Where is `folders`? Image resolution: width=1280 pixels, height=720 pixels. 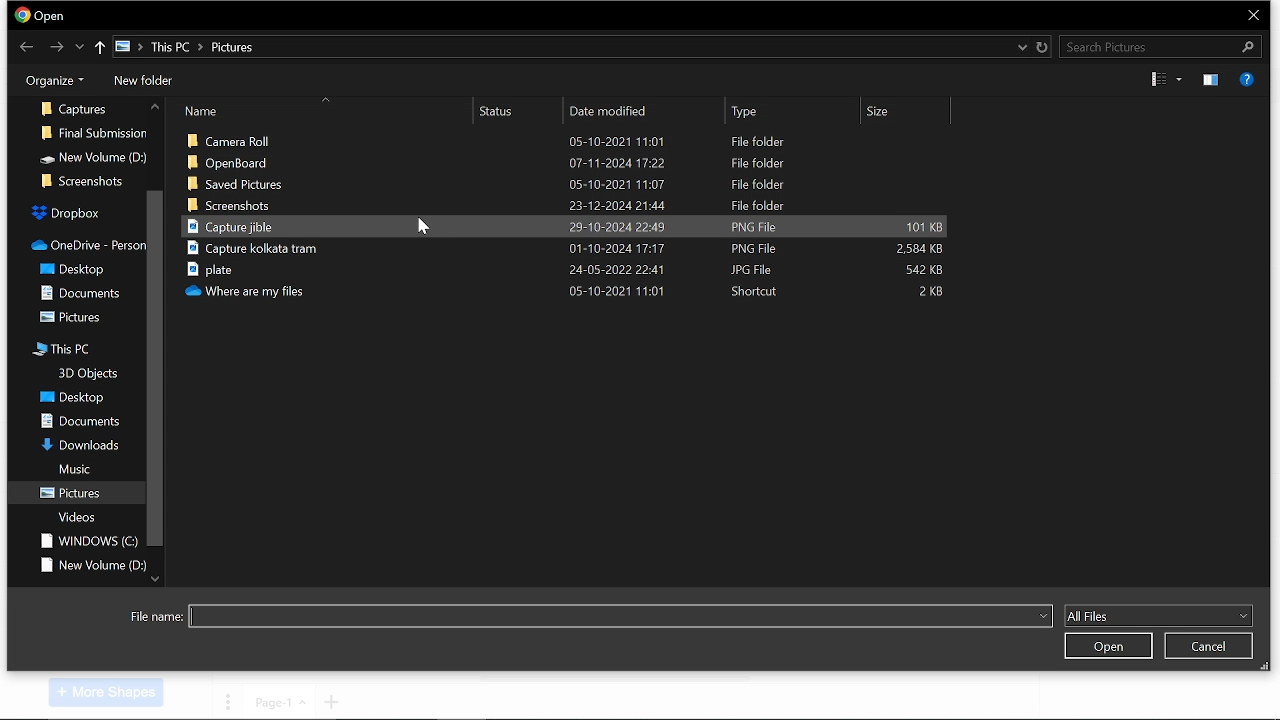 folders is located at coordinates (75, 444).